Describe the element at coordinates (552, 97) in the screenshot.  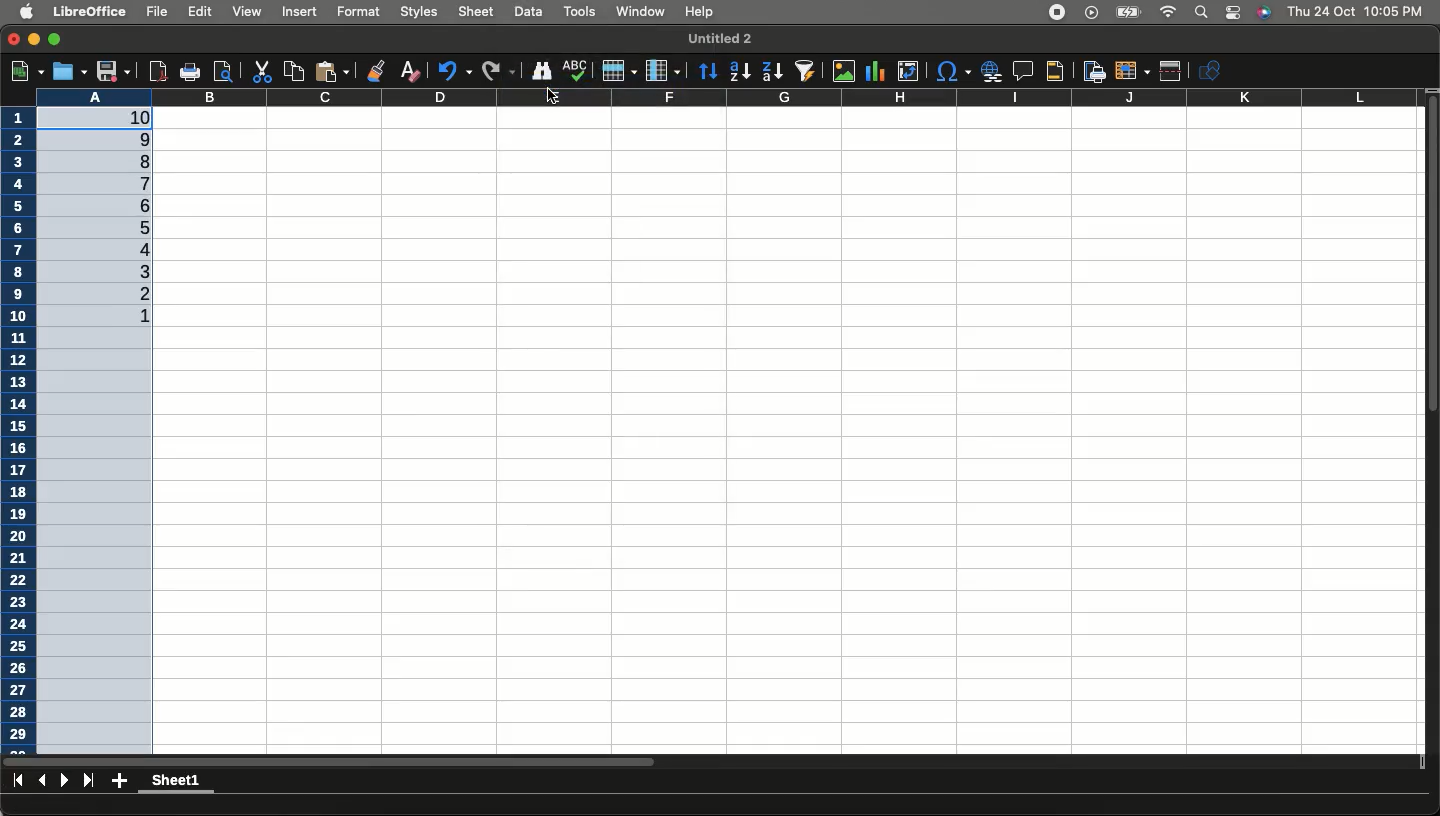
I see `cursor` at that location.